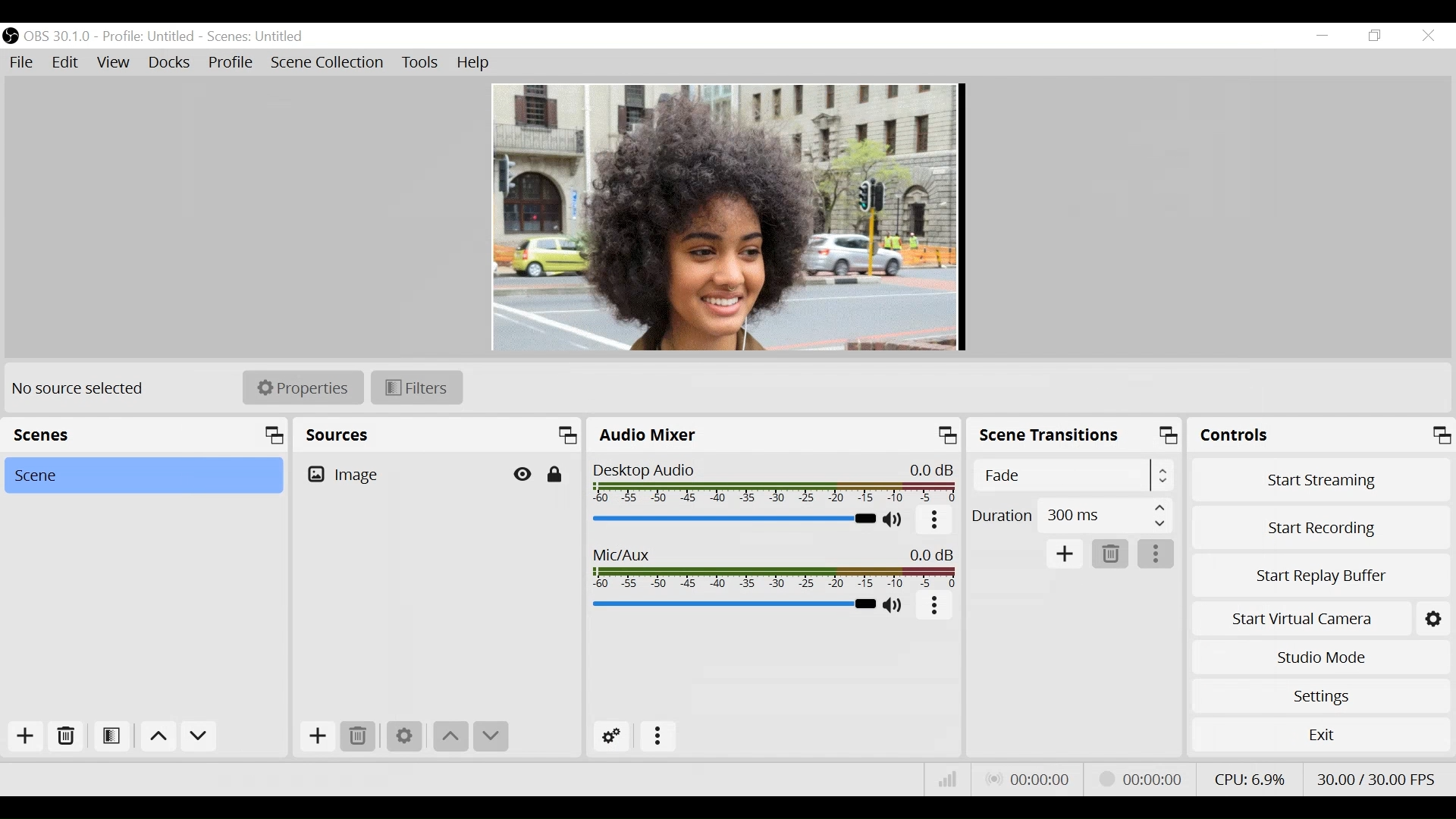 The image size is (1456, 819). Describe the element at coordinates (28, 736) in the screenshot. I see `Add` at that location.